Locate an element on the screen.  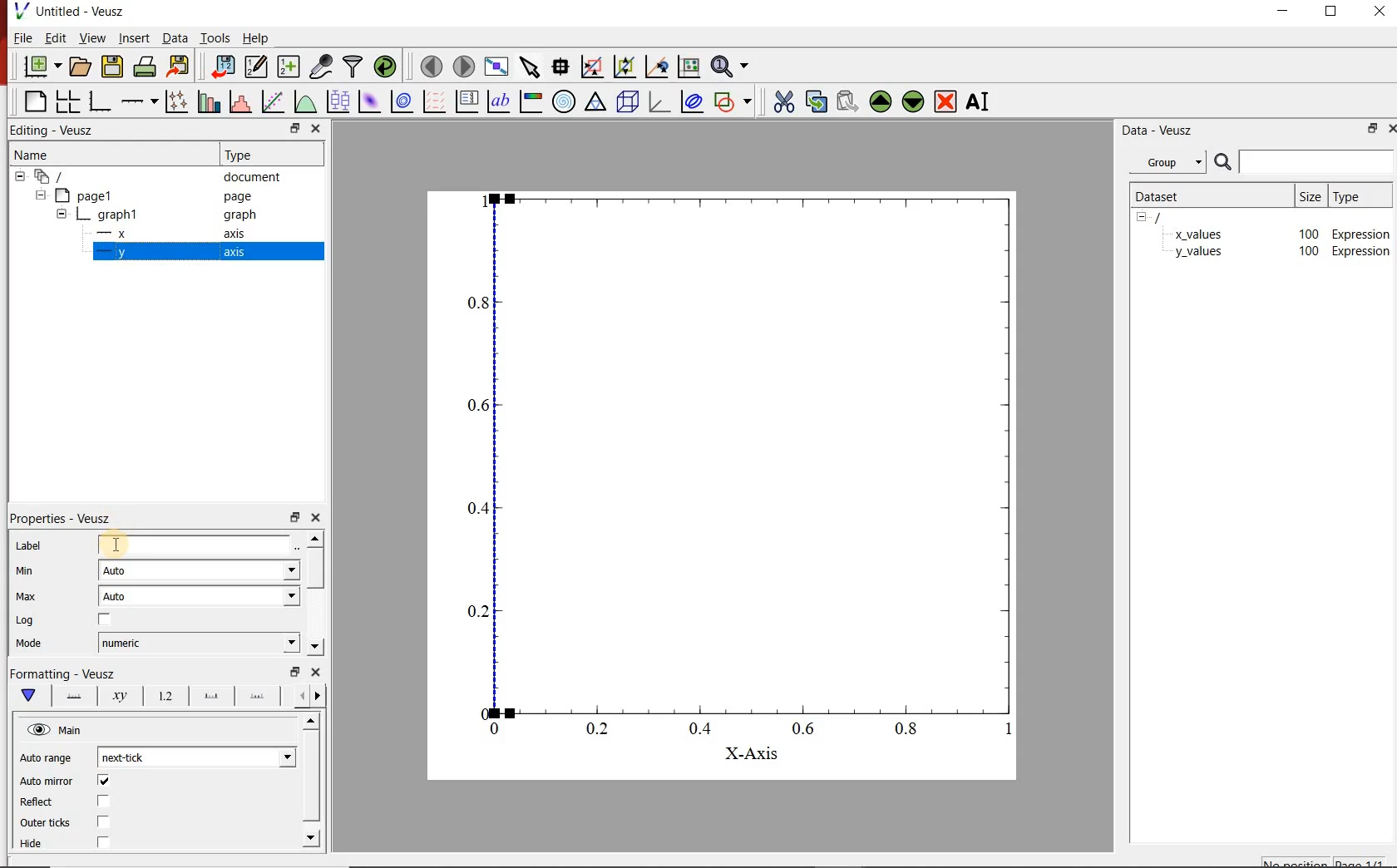
capture remote data is located at coordinates (321, 66).